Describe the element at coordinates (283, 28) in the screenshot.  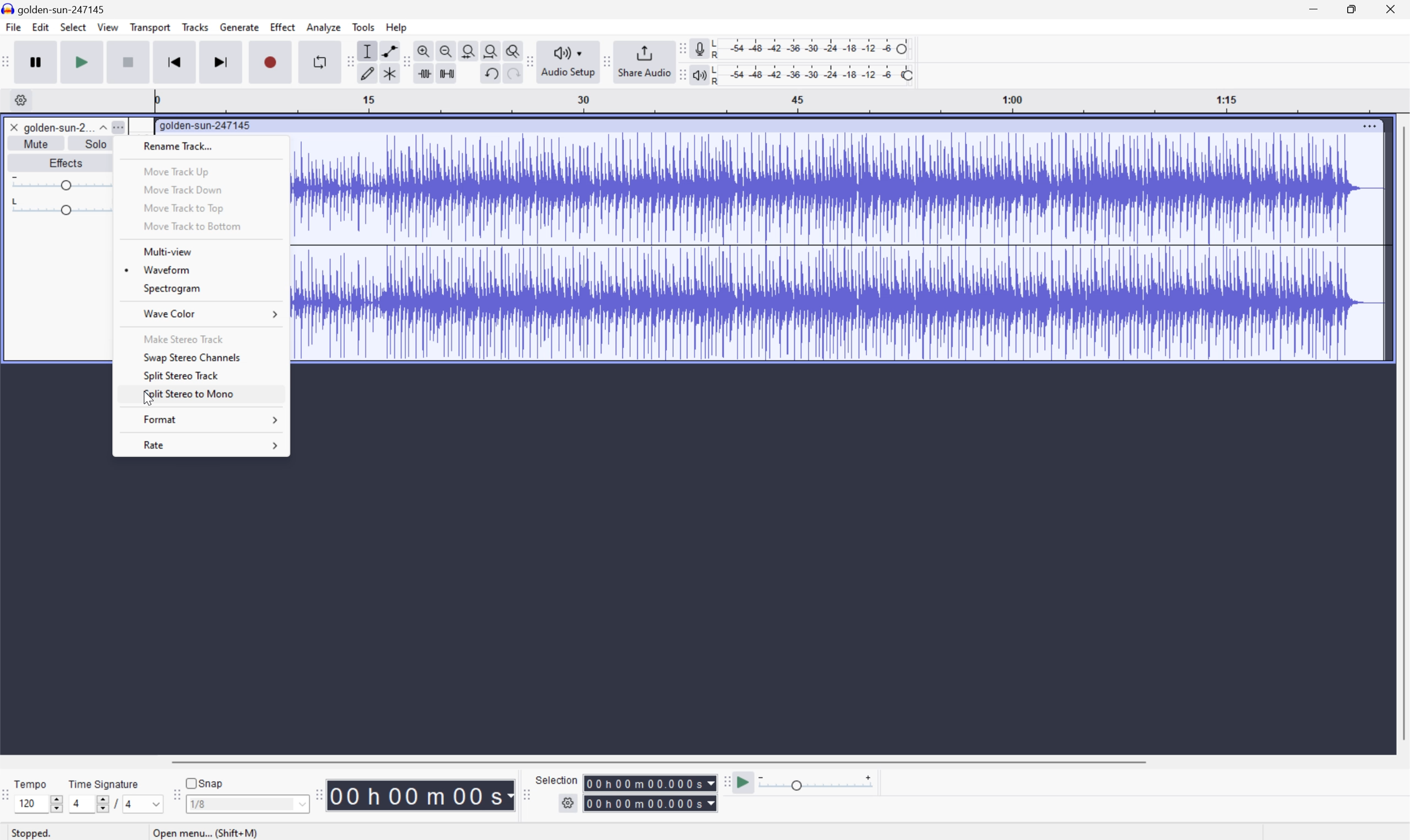
I see `Effect` at that location.